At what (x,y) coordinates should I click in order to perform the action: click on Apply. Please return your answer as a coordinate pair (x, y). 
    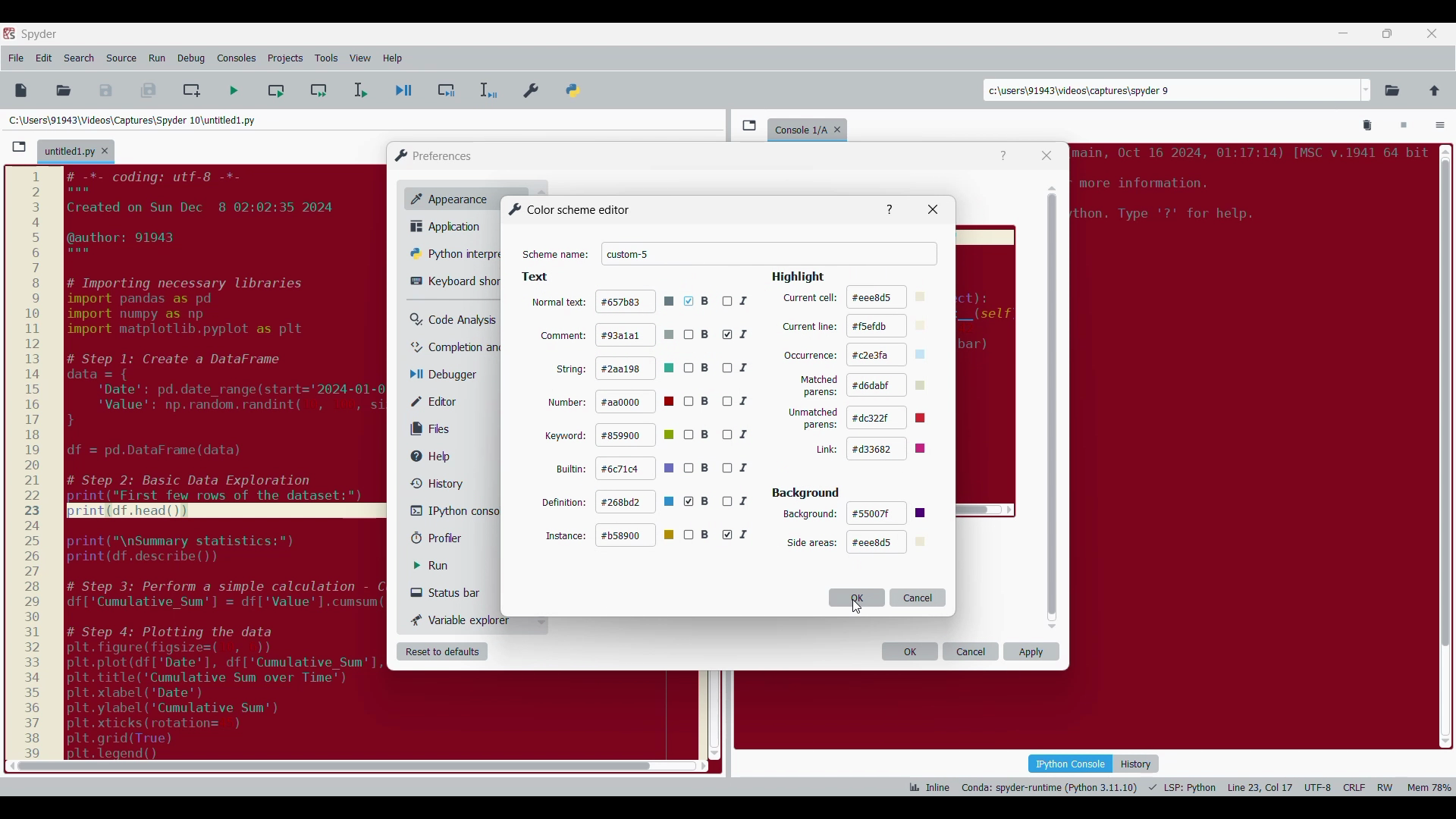
    Looking at the image, I should click on (1031, 651).